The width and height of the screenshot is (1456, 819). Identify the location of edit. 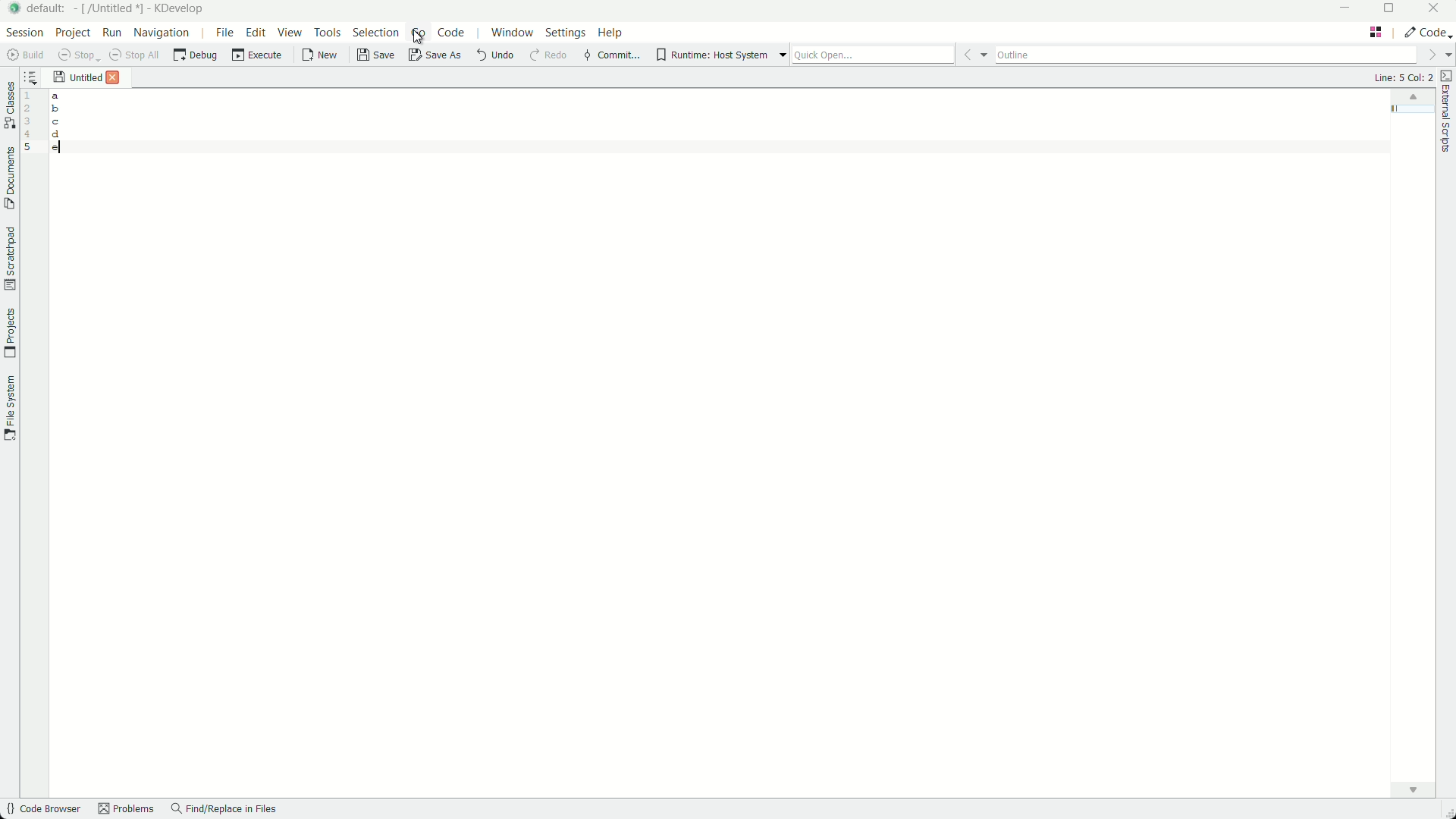
(256, 33).